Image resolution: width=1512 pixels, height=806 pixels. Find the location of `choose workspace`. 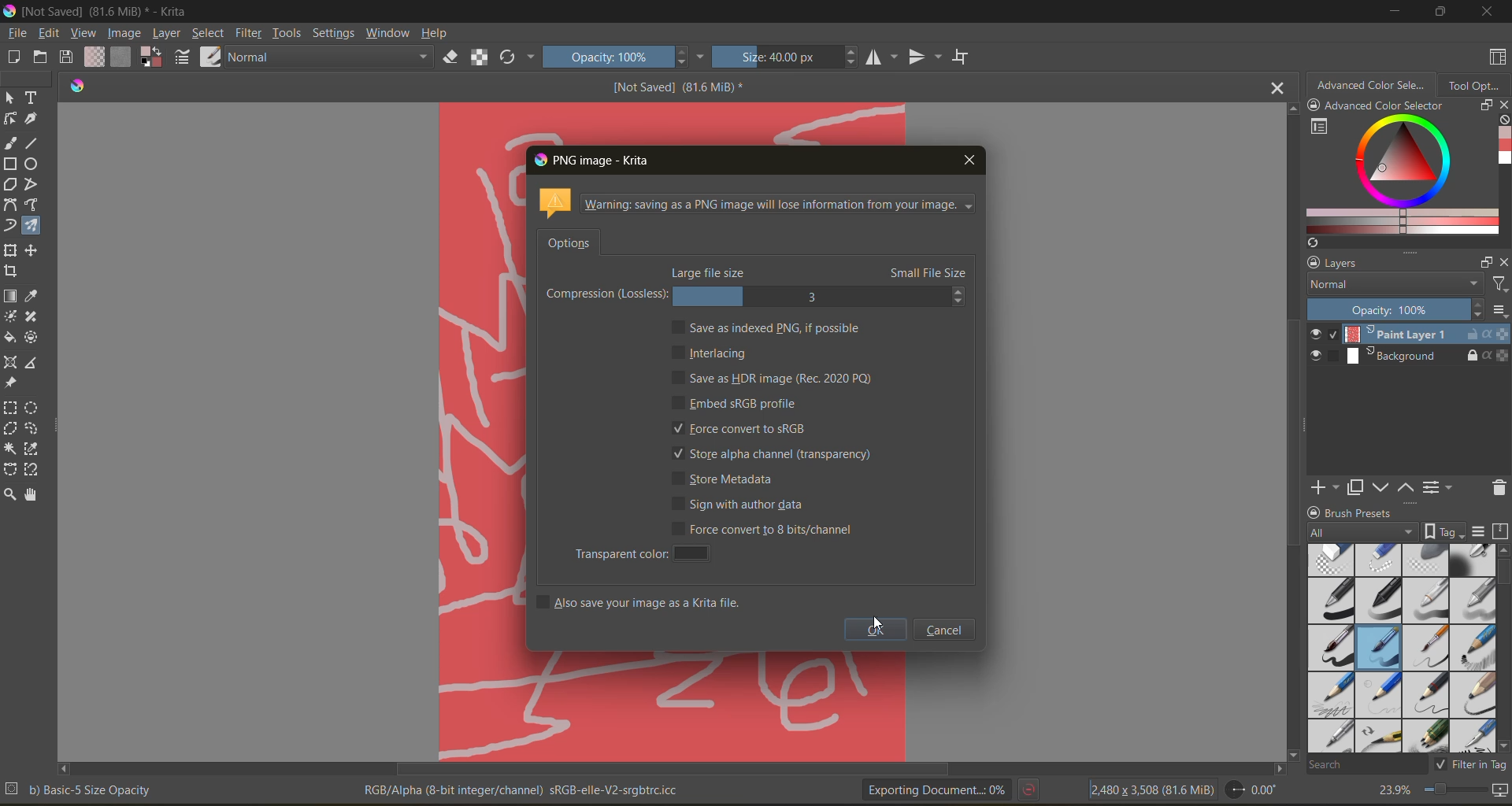

choose workspace is located at coordinates (1494, 59).